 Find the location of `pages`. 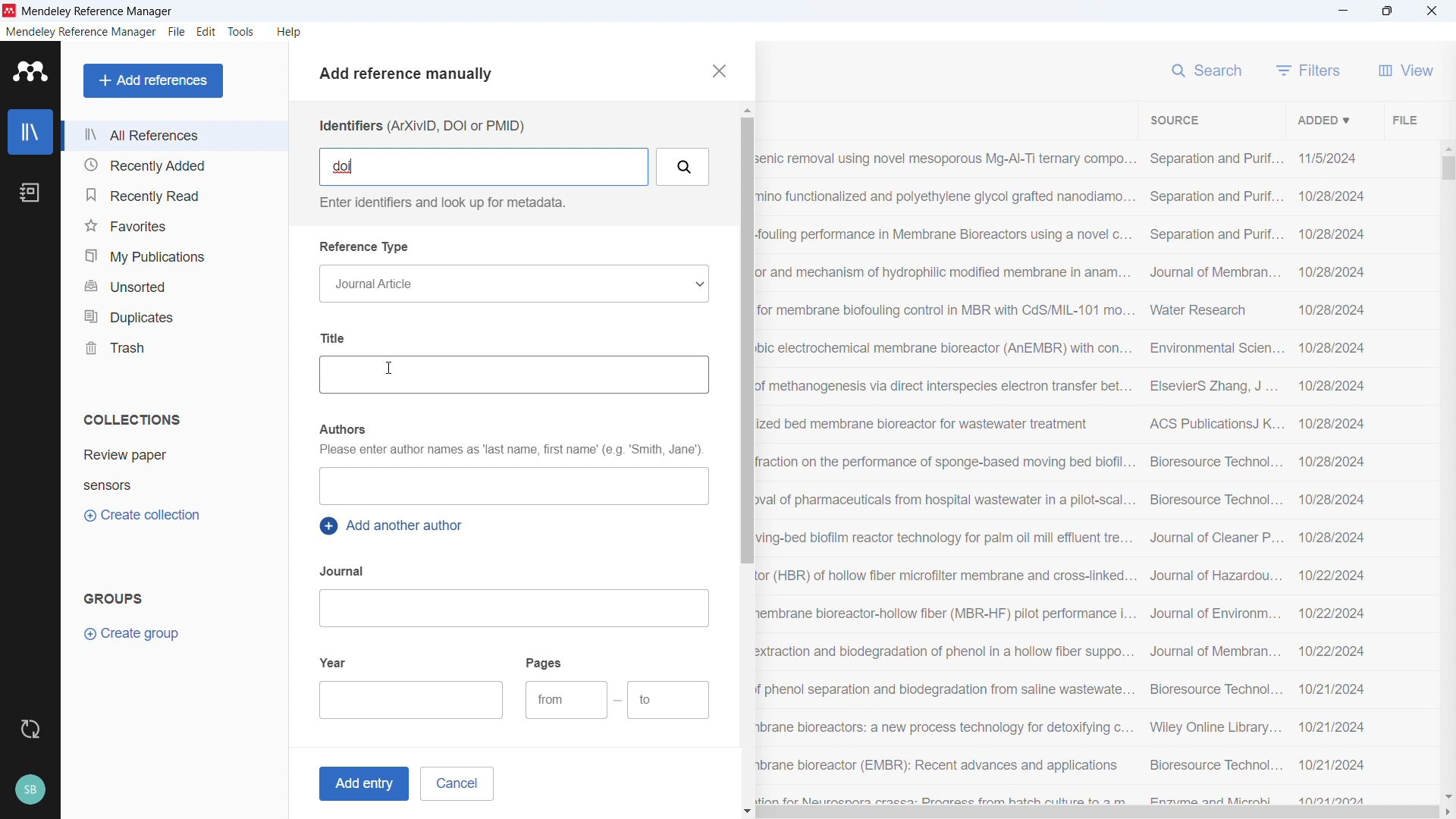

pages is located at coordinates (545, 662).